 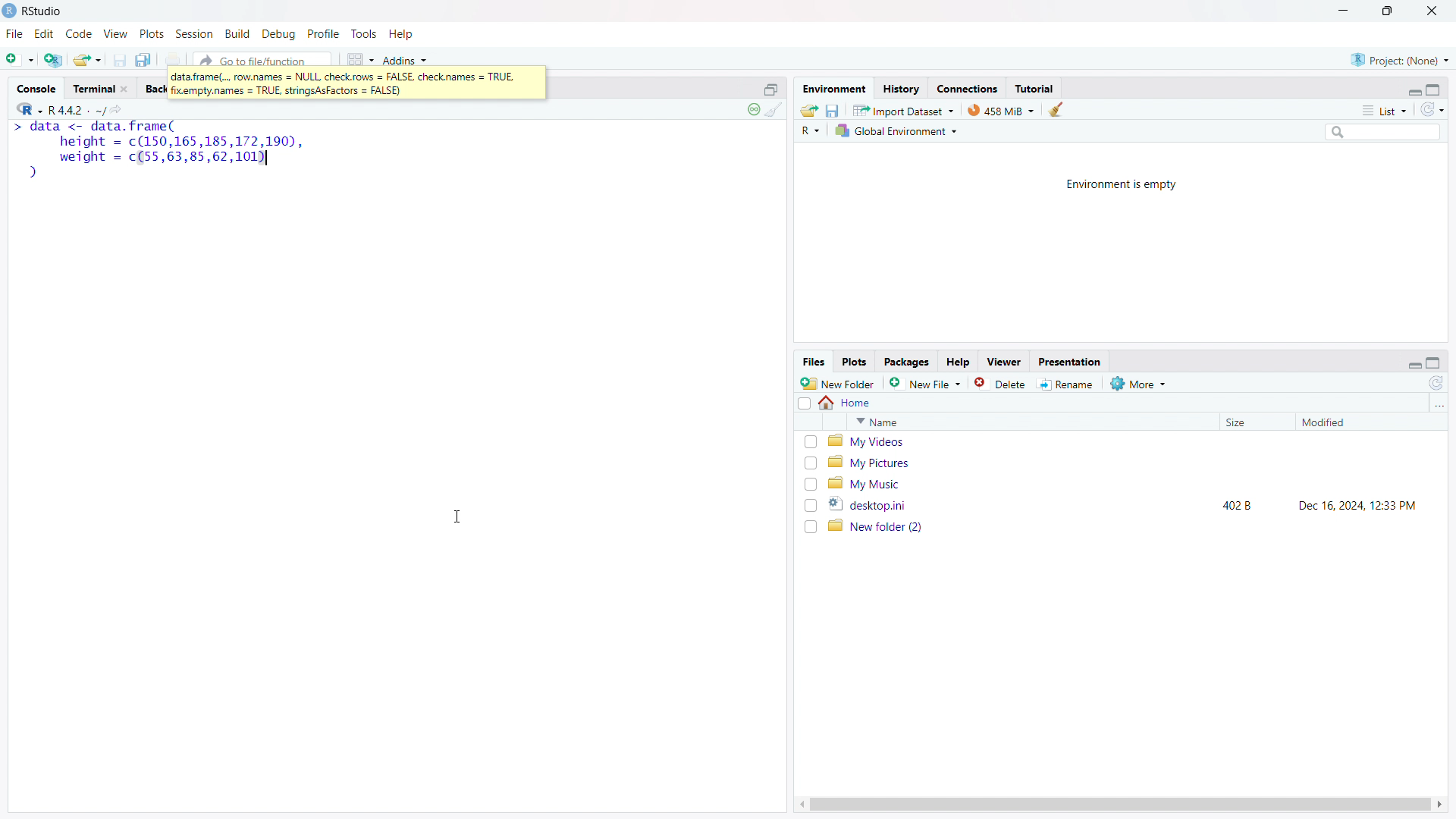 I want to click on add new file, so click(x=926, y=383).